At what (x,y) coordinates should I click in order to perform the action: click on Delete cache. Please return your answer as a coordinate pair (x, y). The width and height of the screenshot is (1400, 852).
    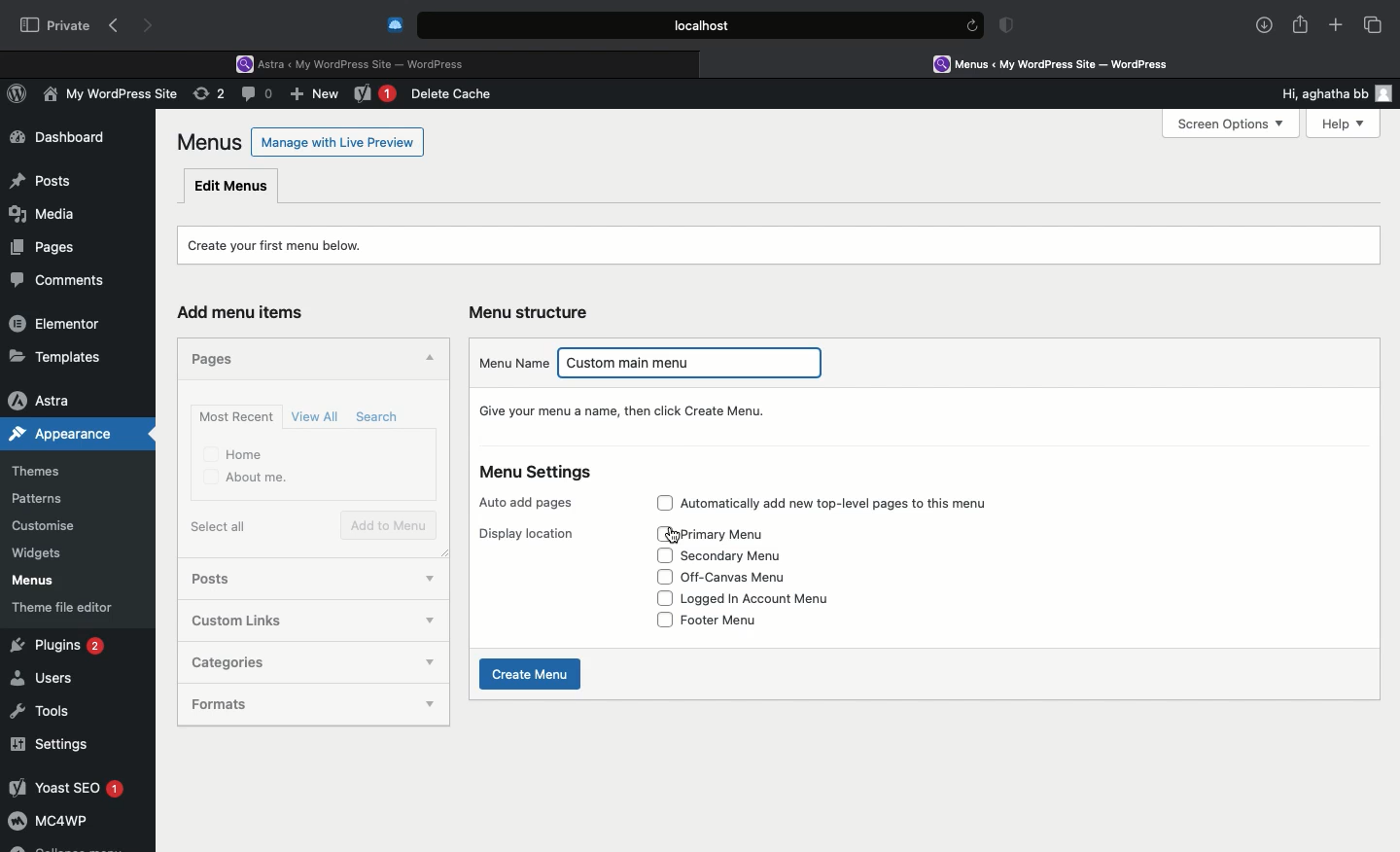
    Looking at the image, I should click on (455, 94).